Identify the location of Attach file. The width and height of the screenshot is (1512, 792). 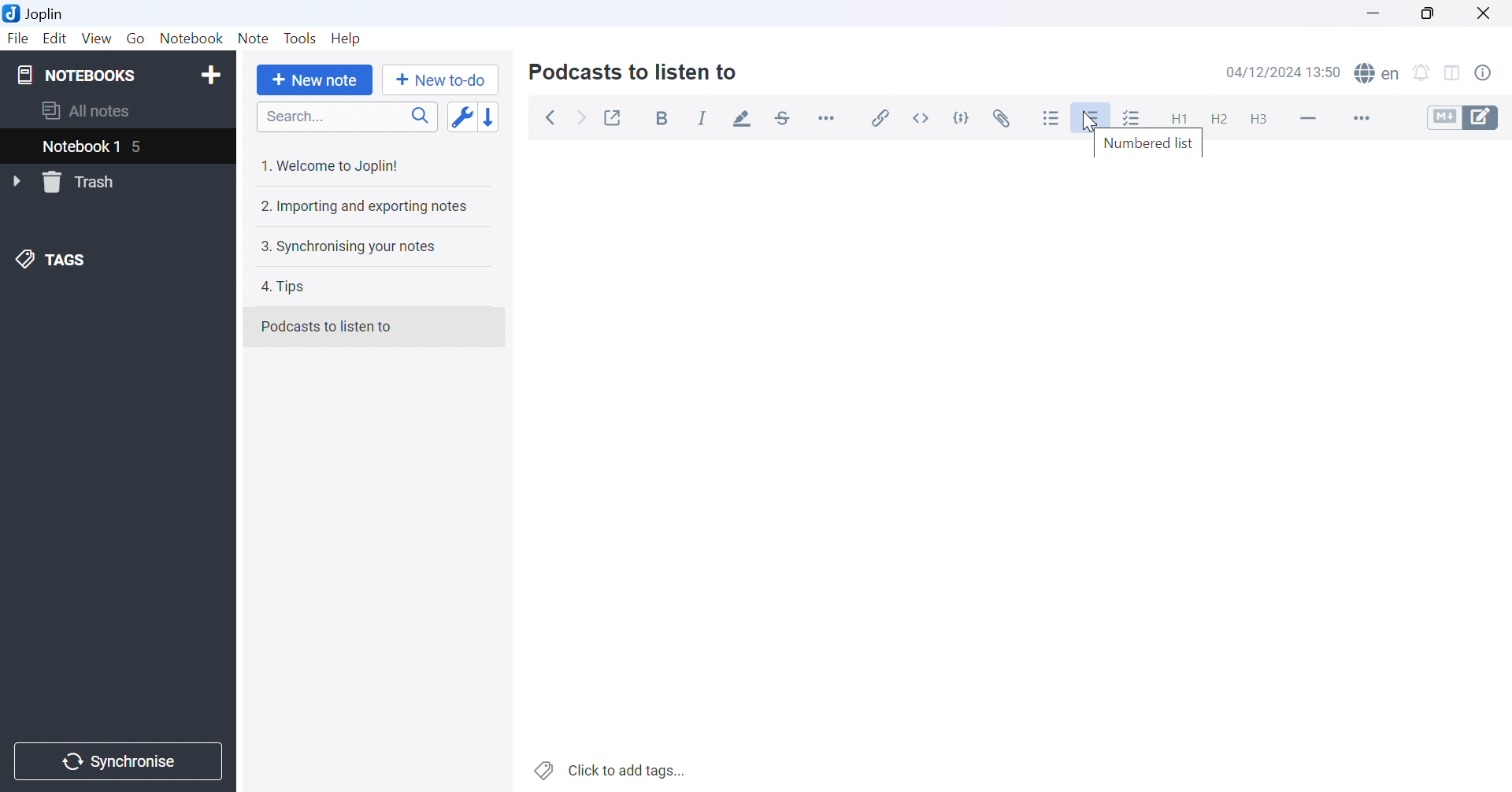
(1004, 116).